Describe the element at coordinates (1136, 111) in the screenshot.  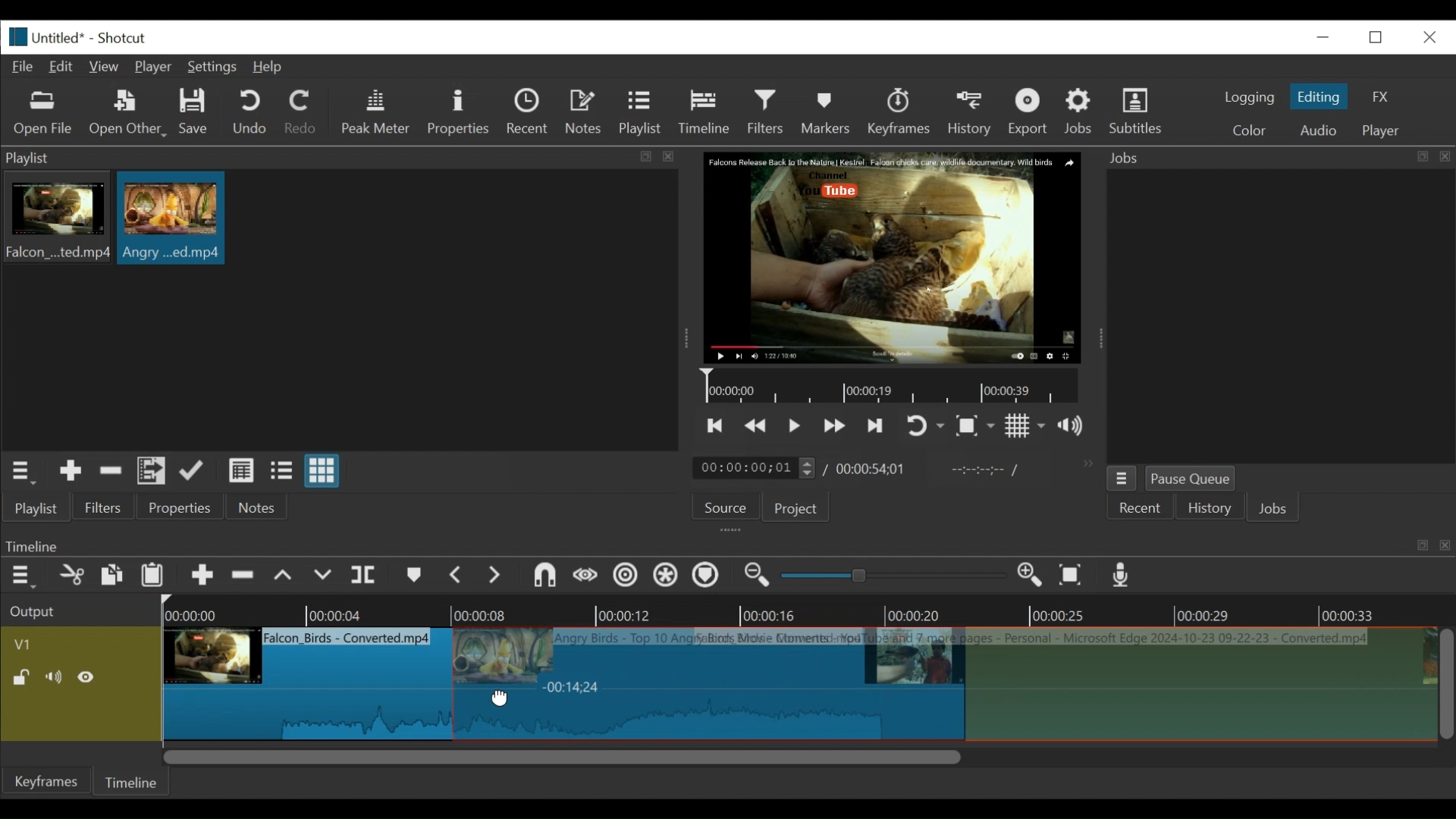
I see `Subtitles` at that location.